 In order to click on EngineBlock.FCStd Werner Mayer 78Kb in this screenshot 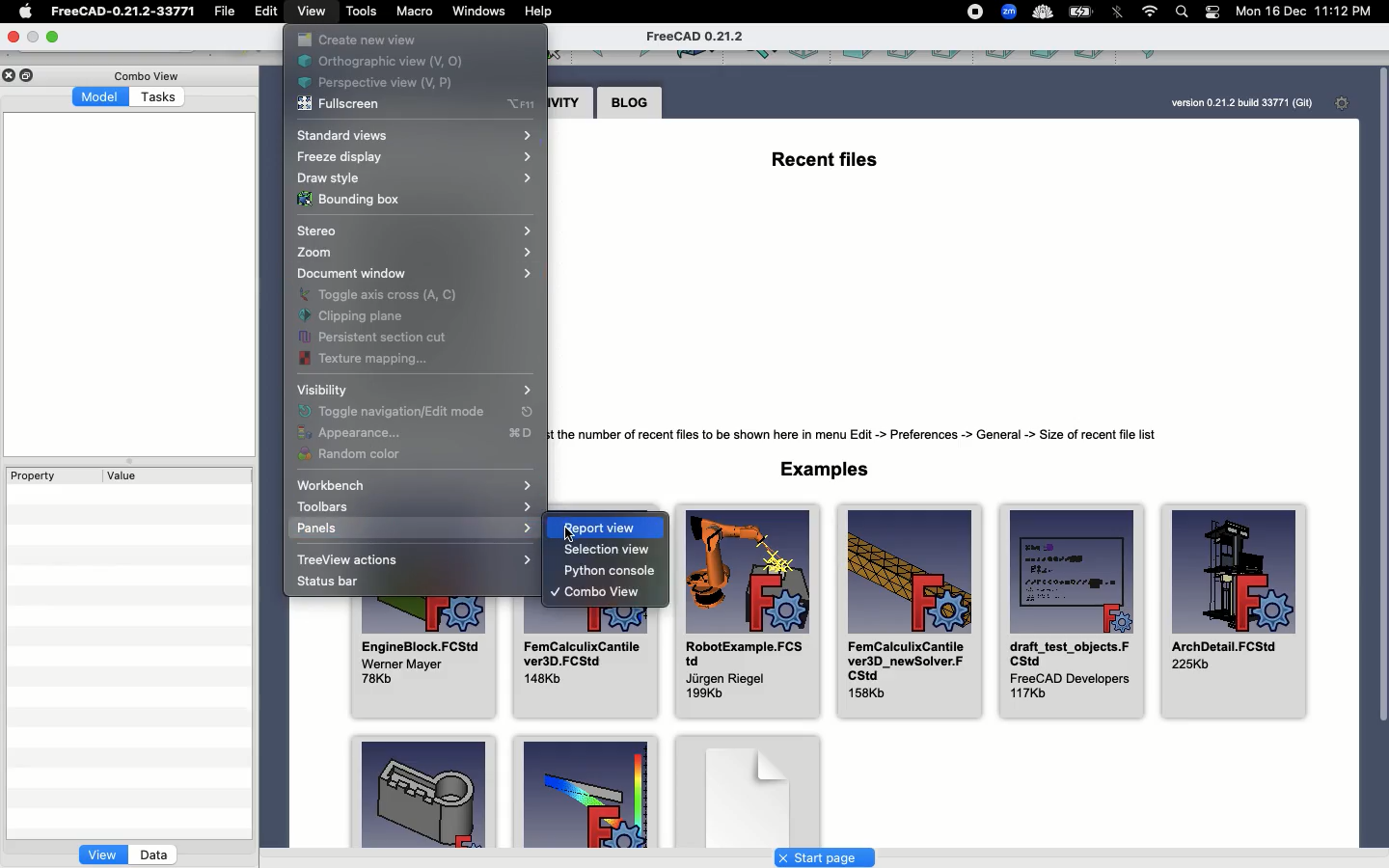, I will do `click(425, 658)`.